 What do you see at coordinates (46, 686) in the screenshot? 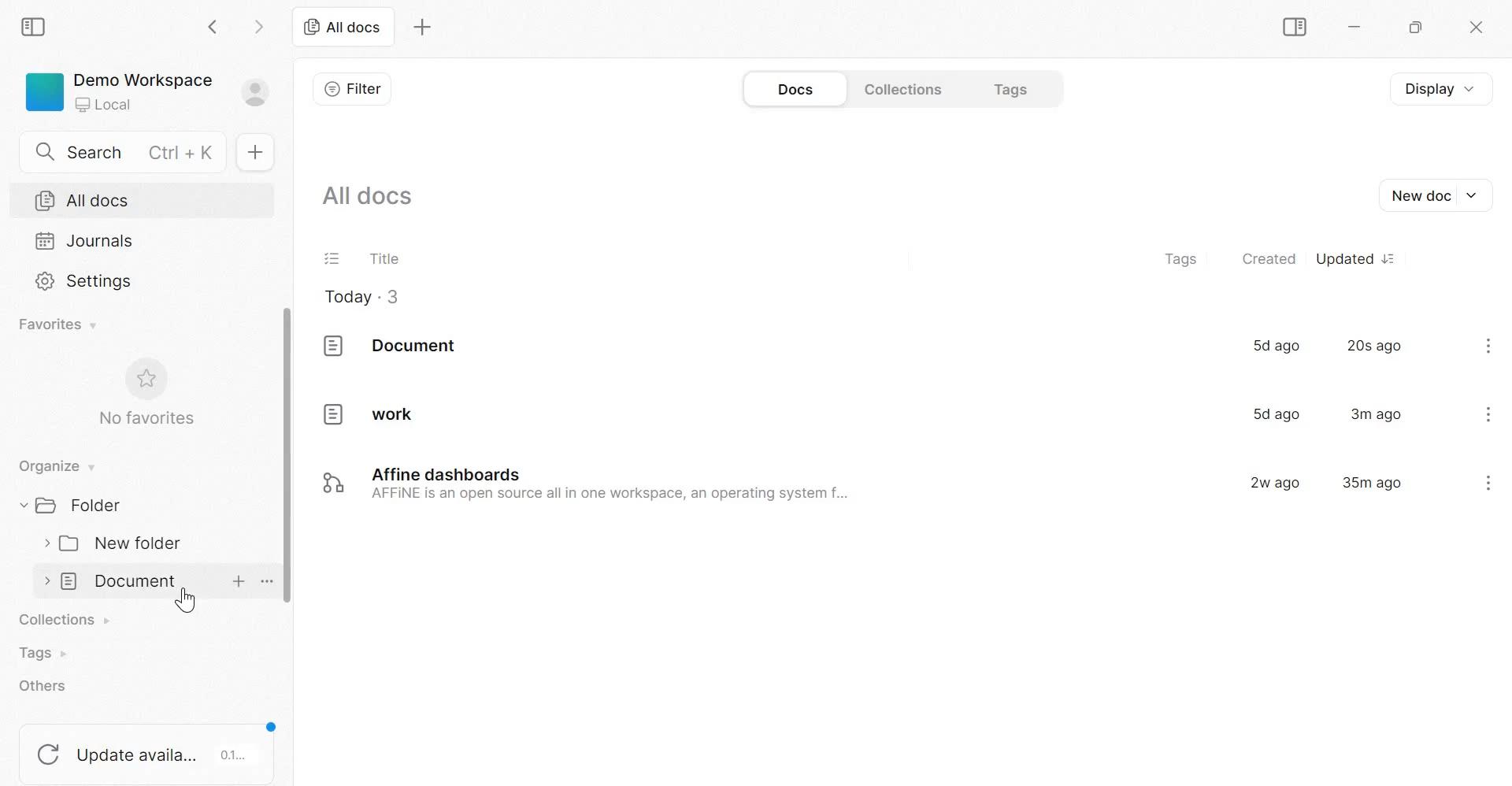
I see `others` at bounding box center [46, 686].